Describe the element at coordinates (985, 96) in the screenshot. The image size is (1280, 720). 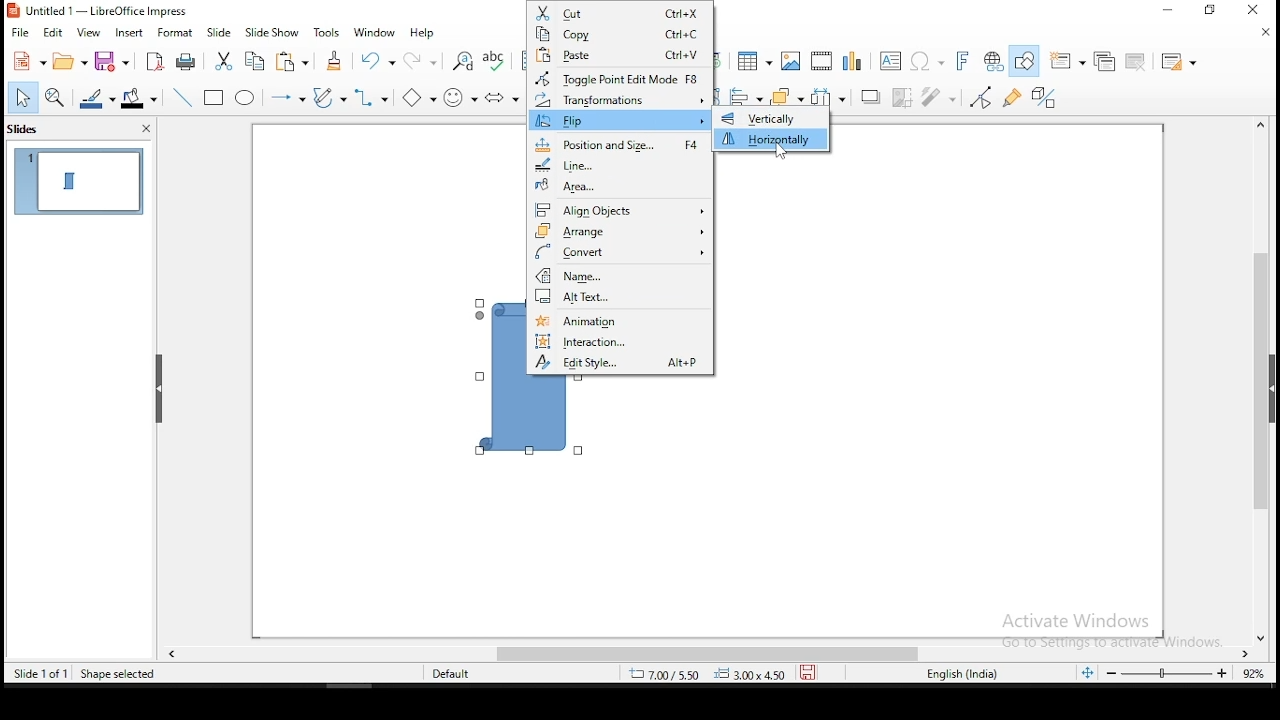
I see `toggle point edit mode` at that location.